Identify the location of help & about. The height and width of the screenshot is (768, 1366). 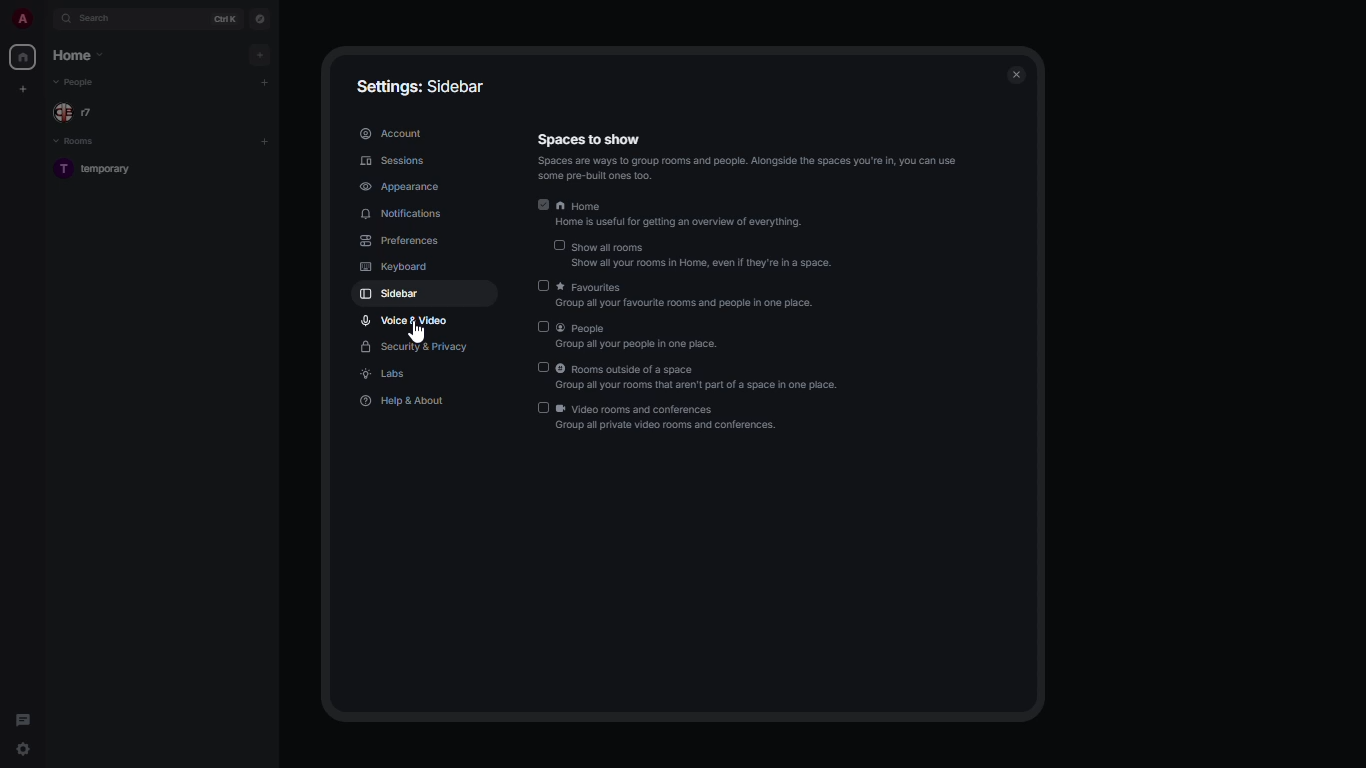
(403, 402).